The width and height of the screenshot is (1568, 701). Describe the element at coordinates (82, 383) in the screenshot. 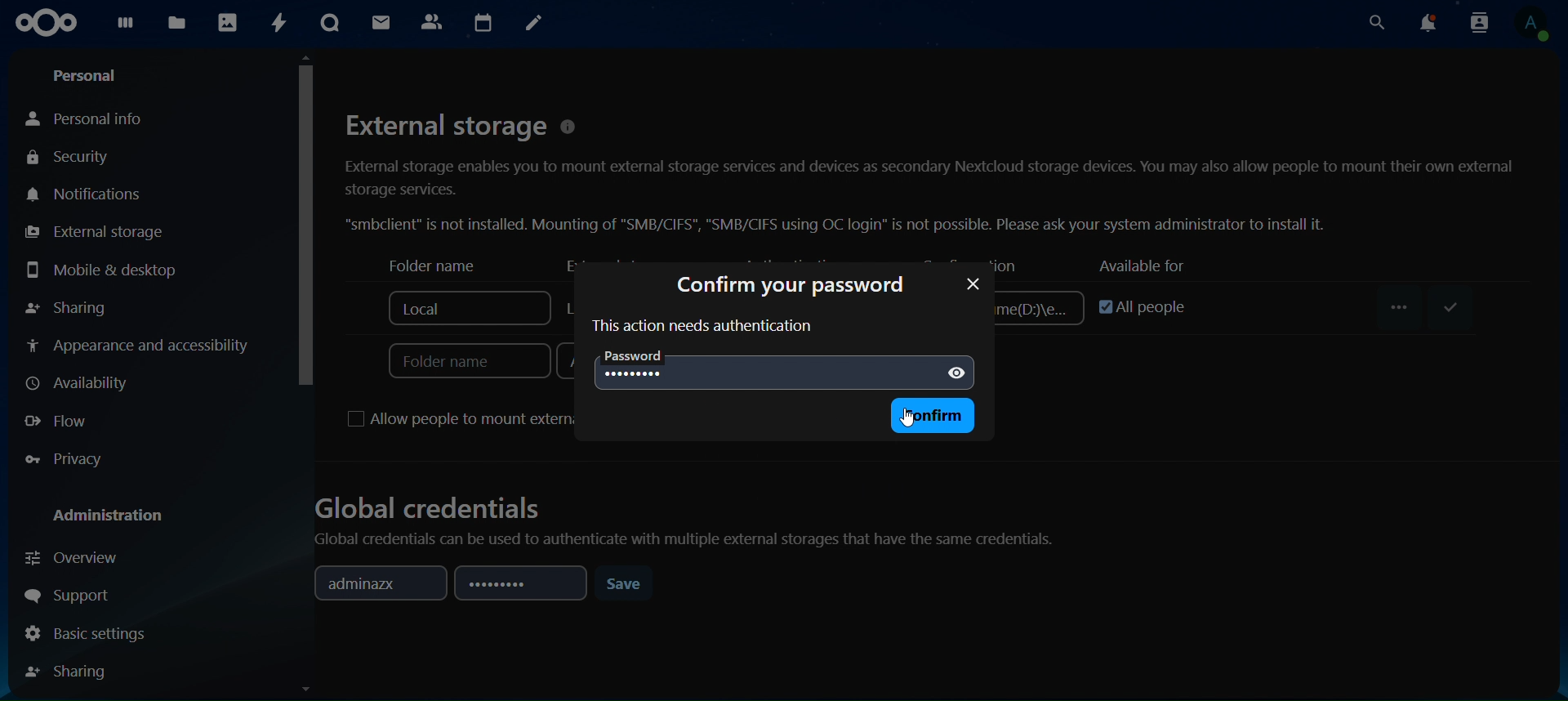

I see `availiabilty` at that location.